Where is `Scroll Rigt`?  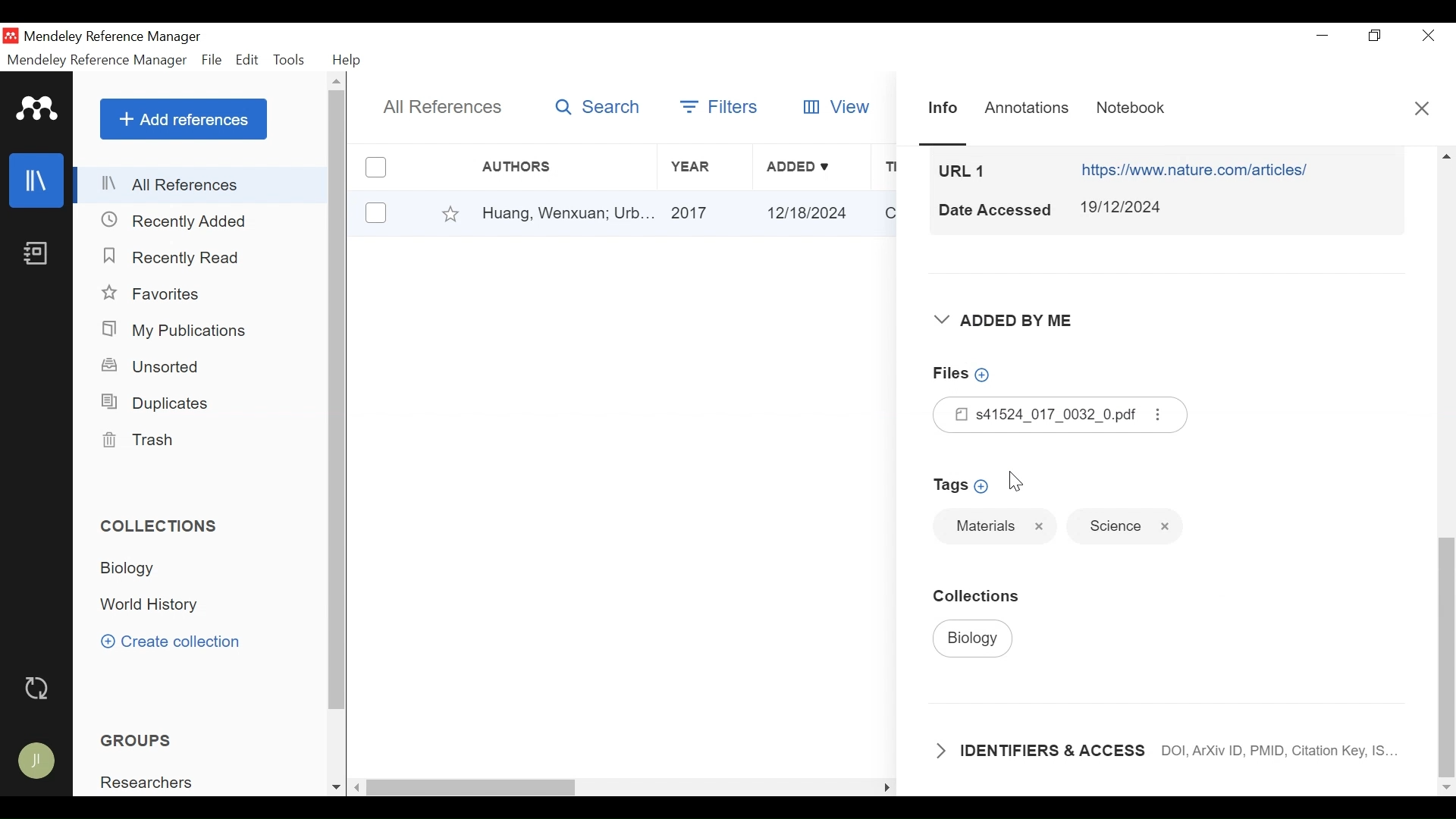 Scroll Rigt is located at coordinates (885, 789).